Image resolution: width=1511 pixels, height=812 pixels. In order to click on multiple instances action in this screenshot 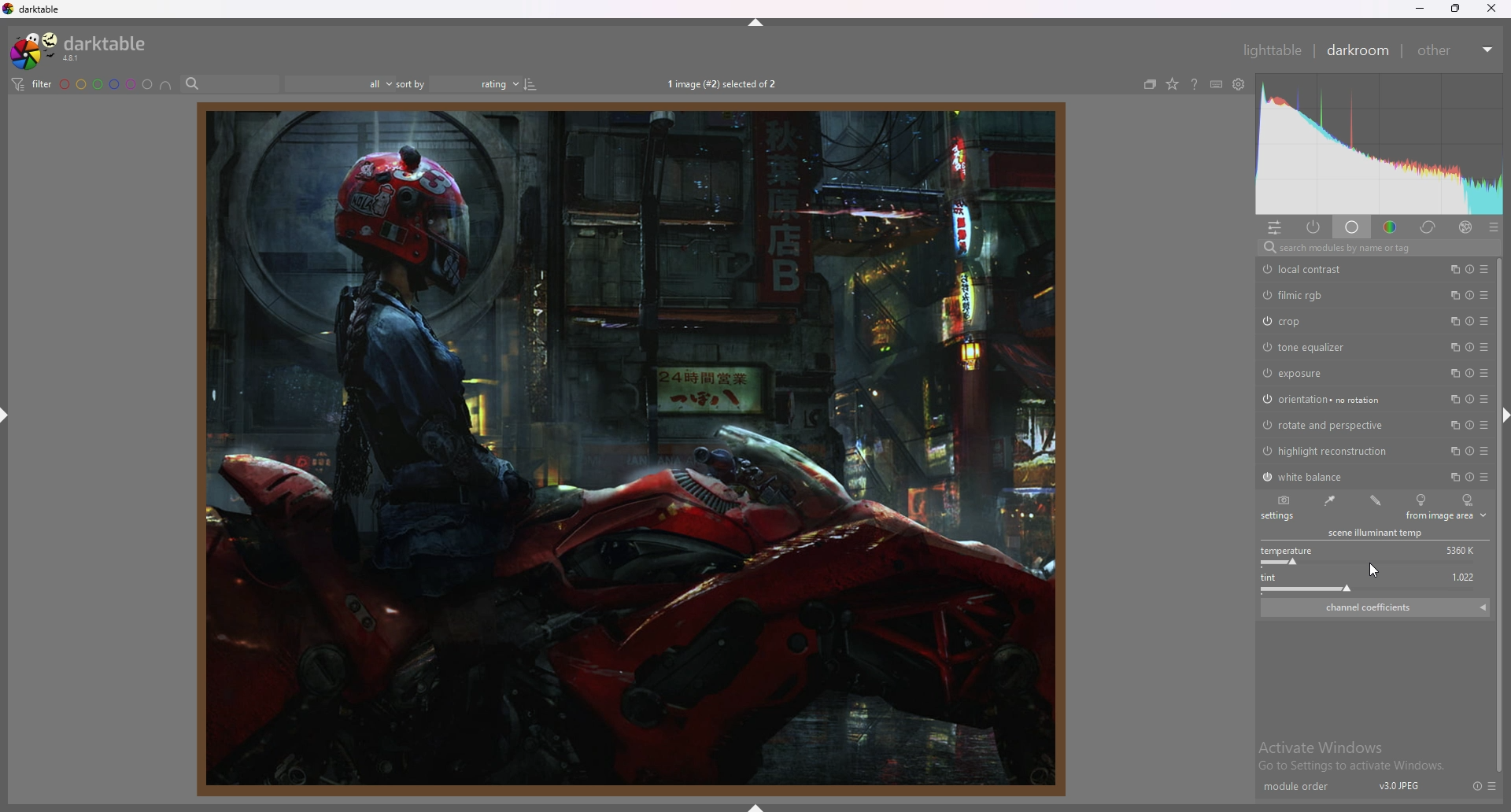, I will do `click(1453, 426)`.